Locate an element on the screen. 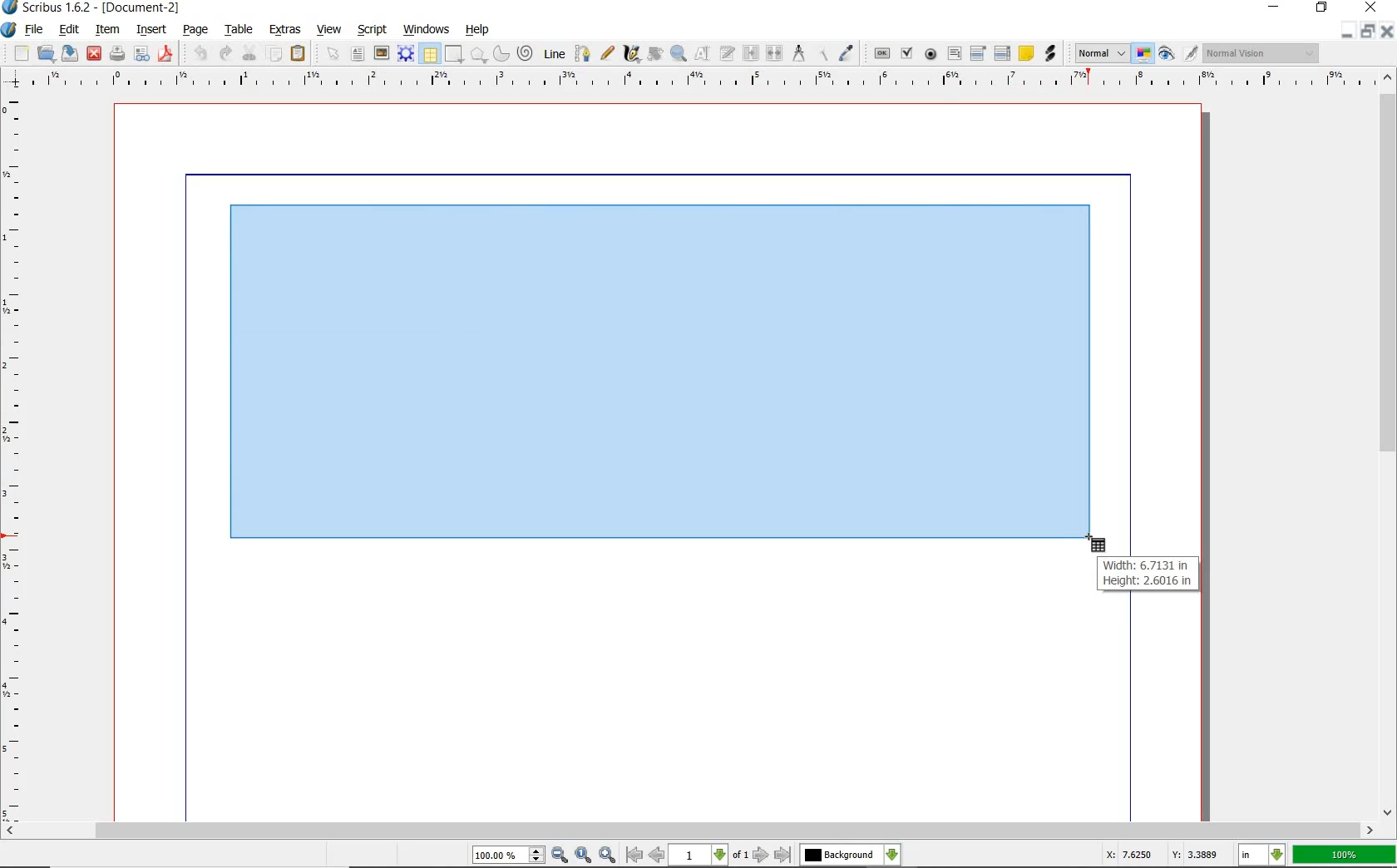  zoom in or out is located at coordinates (677, 54).